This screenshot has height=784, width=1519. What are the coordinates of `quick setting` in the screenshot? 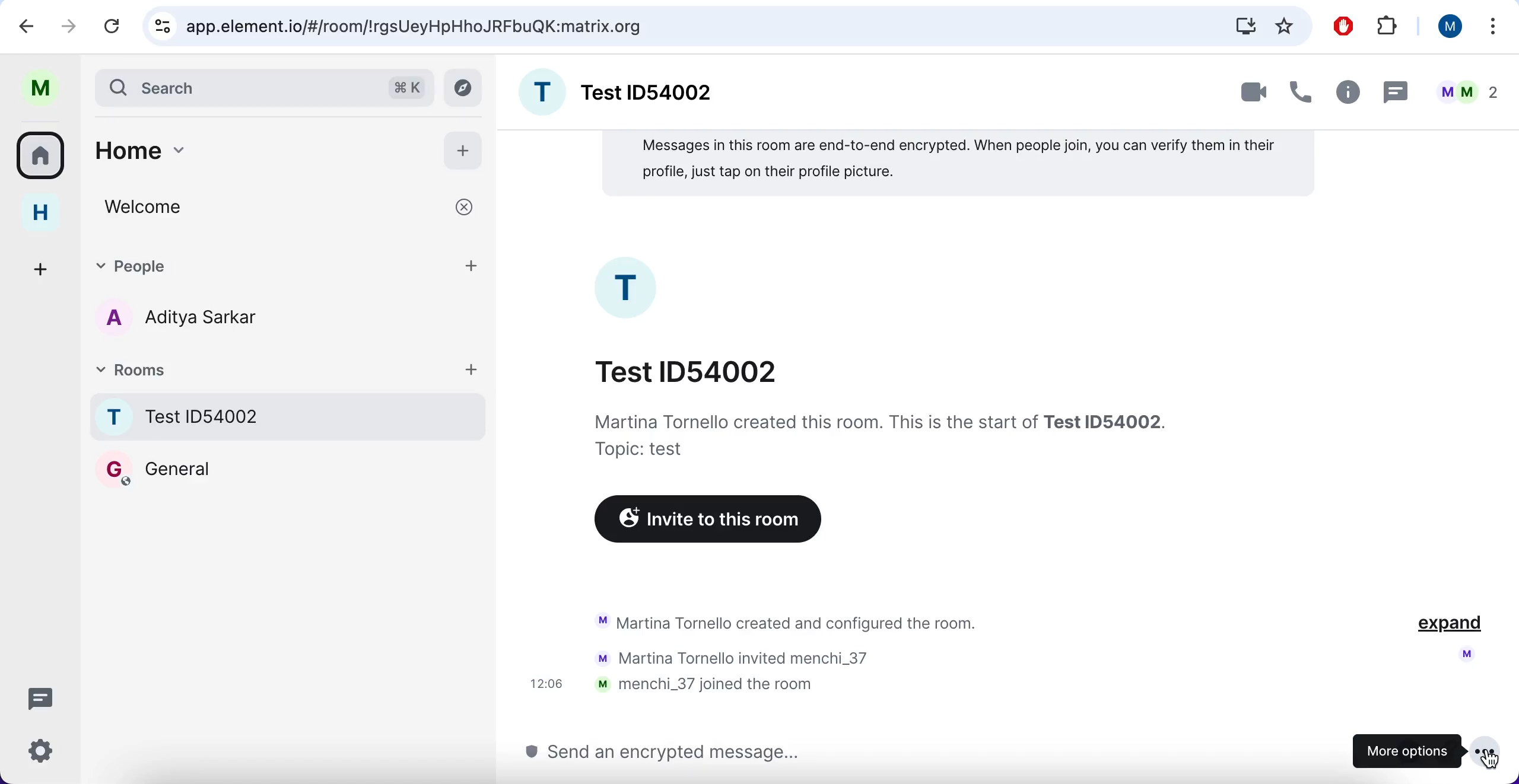 It's located at (40, 753).